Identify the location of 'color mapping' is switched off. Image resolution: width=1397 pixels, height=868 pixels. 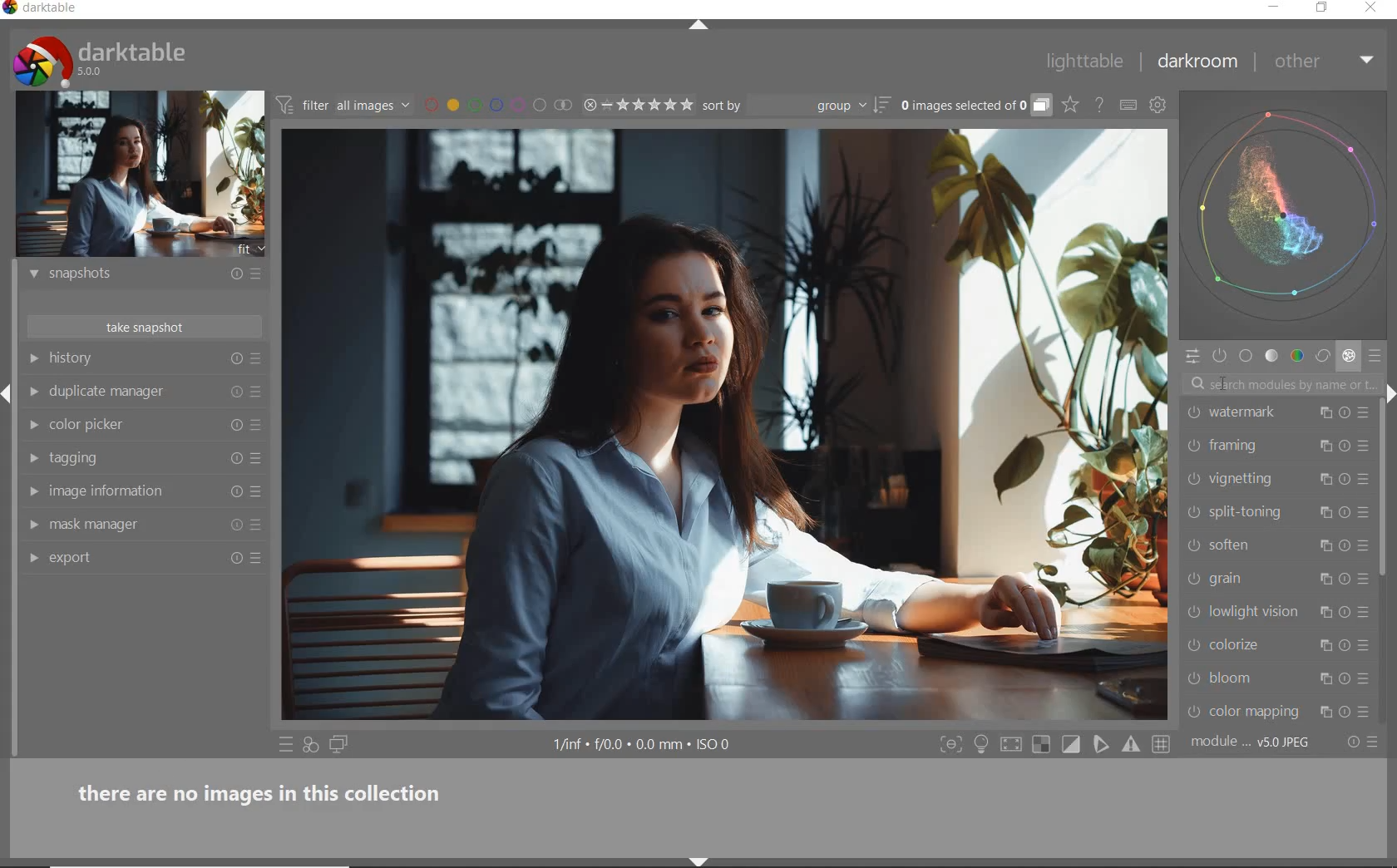
(1194, 712).